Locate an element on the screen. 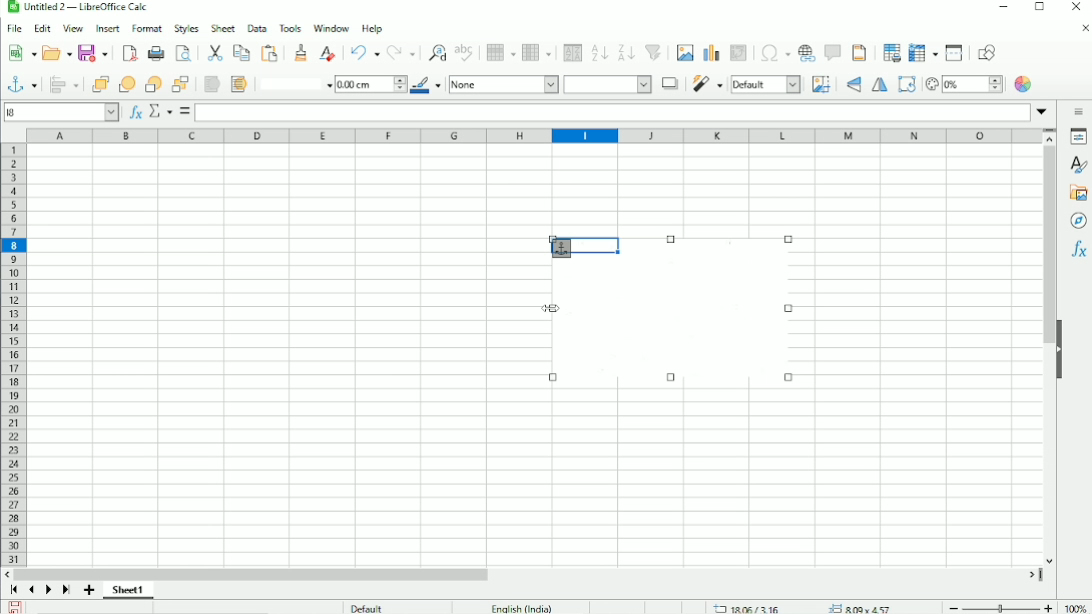 The image size is (1092, 614). Horizontal scrollbar is located at coordinates (256, 573).